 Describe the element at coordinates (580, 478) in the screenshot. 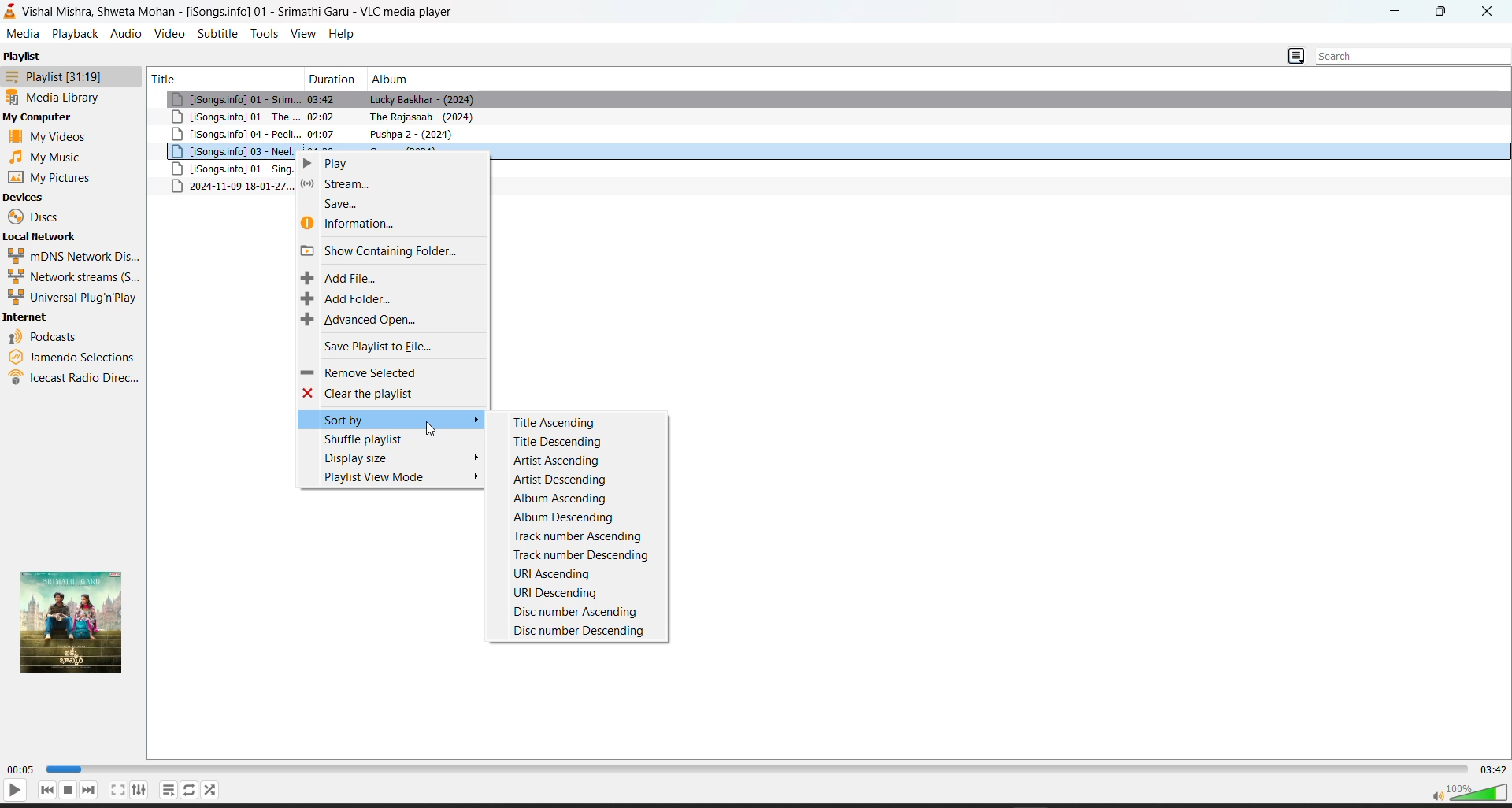

I see `artist descending` at that location.